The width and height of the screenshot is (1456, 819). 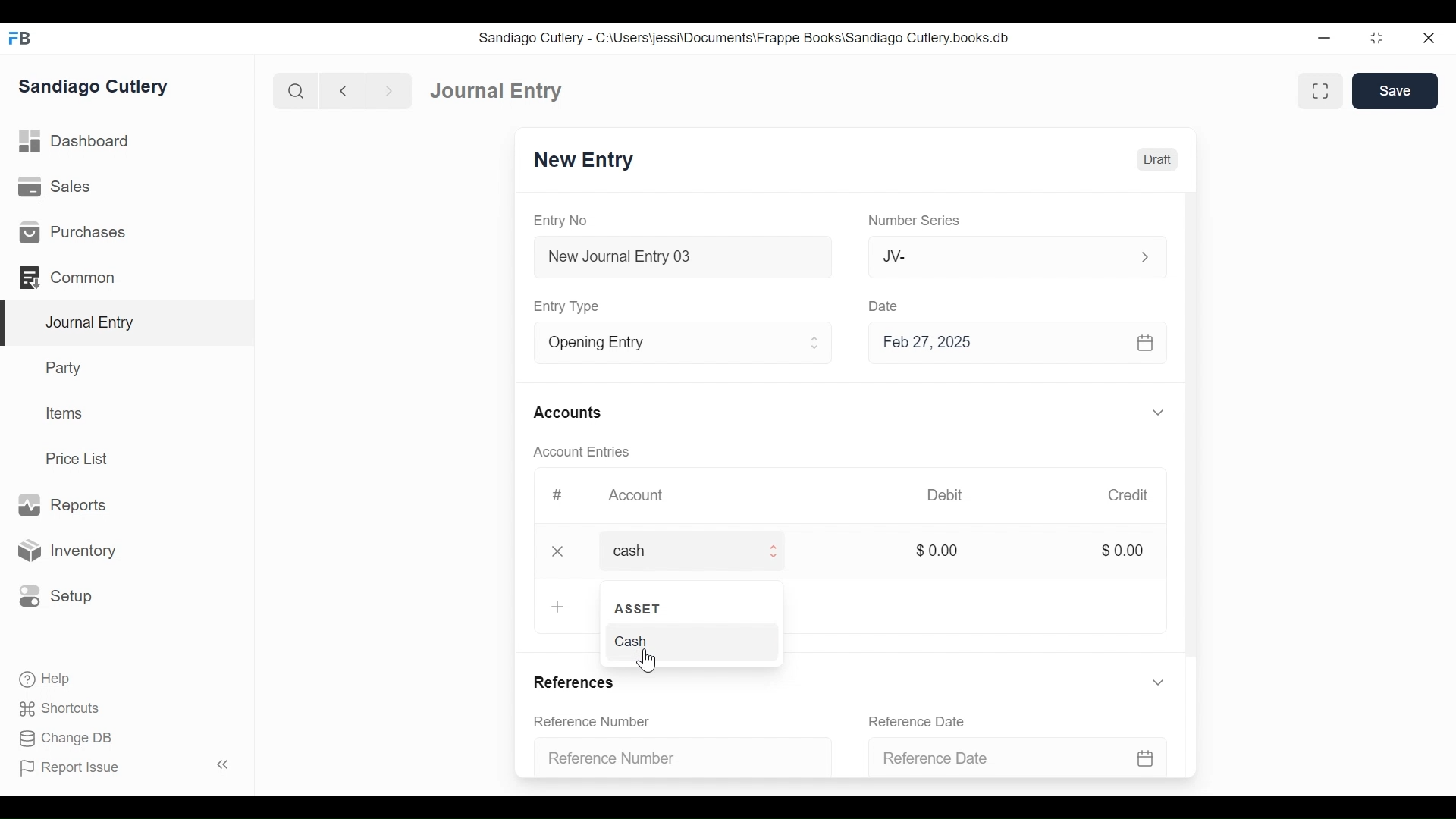 What do you see at coordinates (912, 221) in the screenshot?
I see `Number Series` at bounding box center [912, 221].